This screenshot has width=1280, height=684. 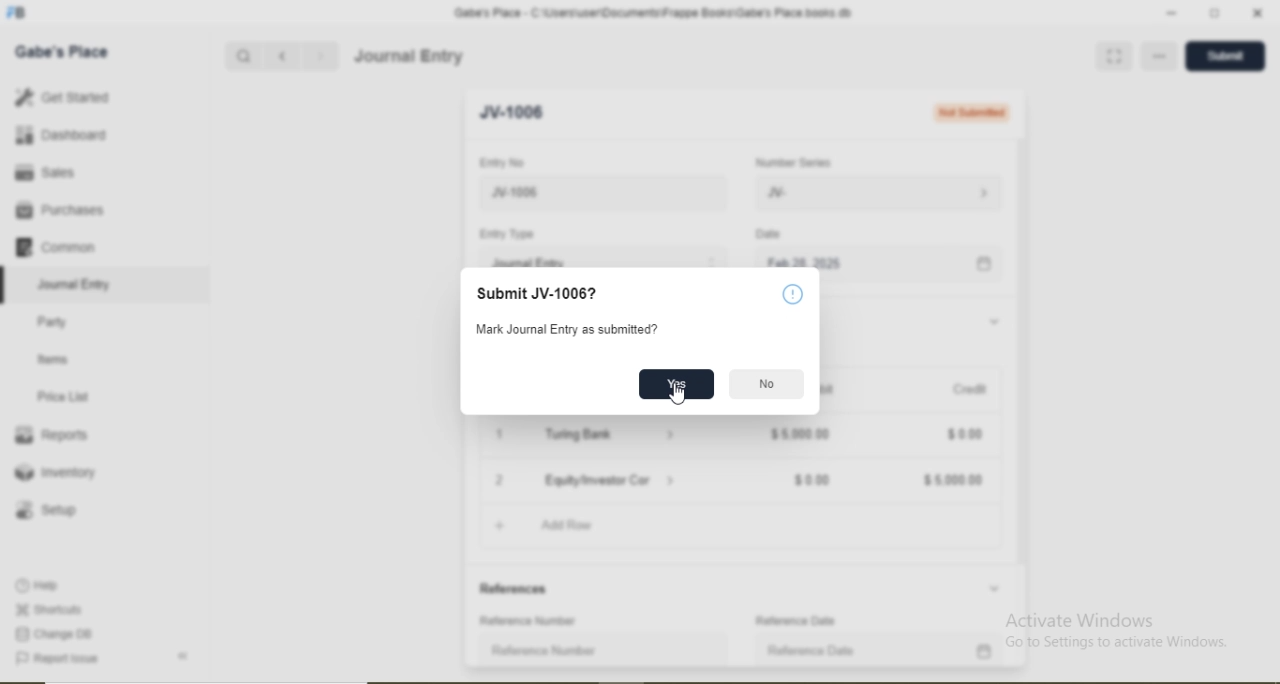 I want to click on Setup, so click(x=45, y=510).